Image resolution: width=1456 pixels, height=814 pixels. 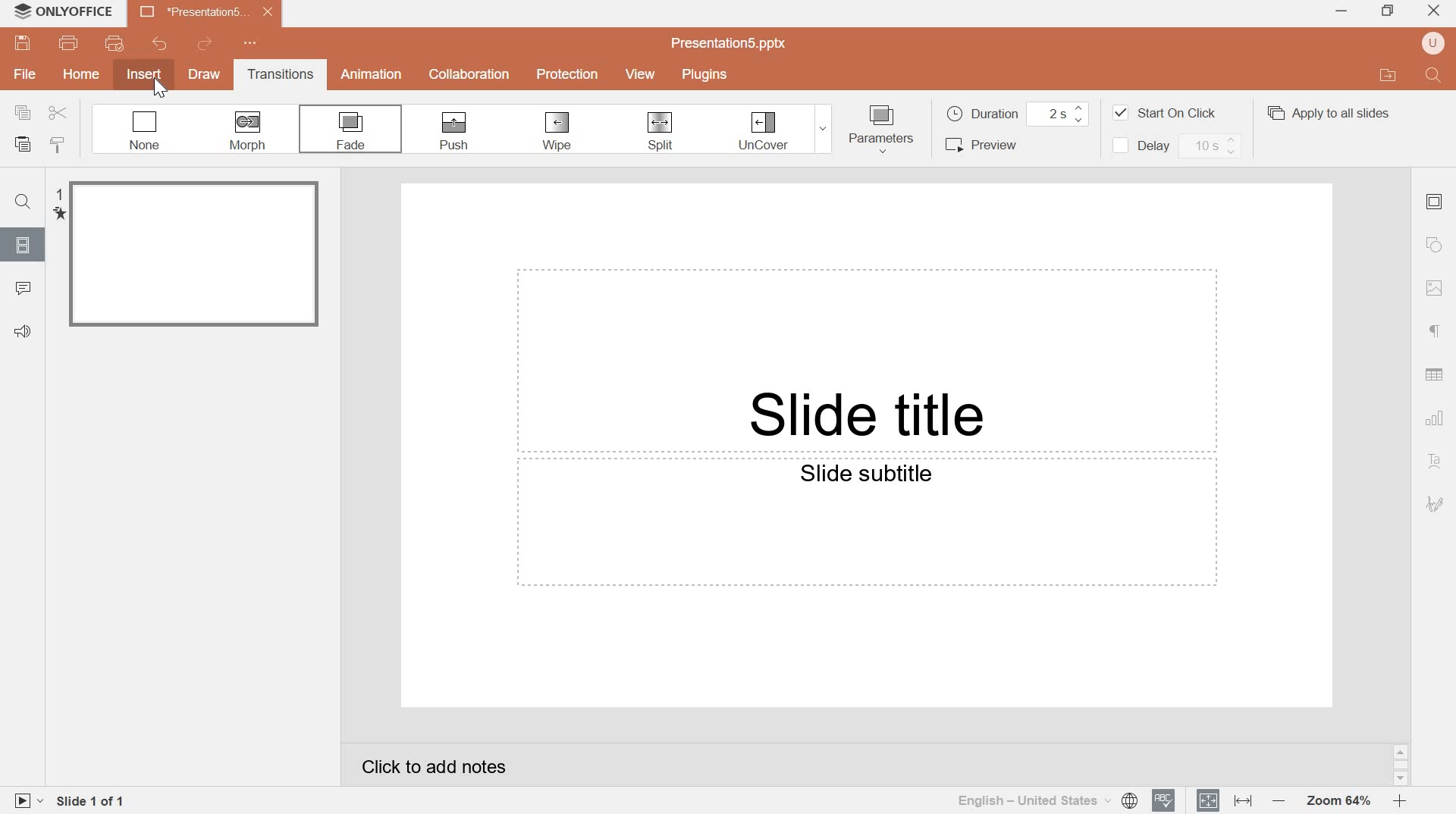 What do you see at coordinates (1337, 802) in the screenshot?
I see `Zoom` at bounding box center [1337, 802].